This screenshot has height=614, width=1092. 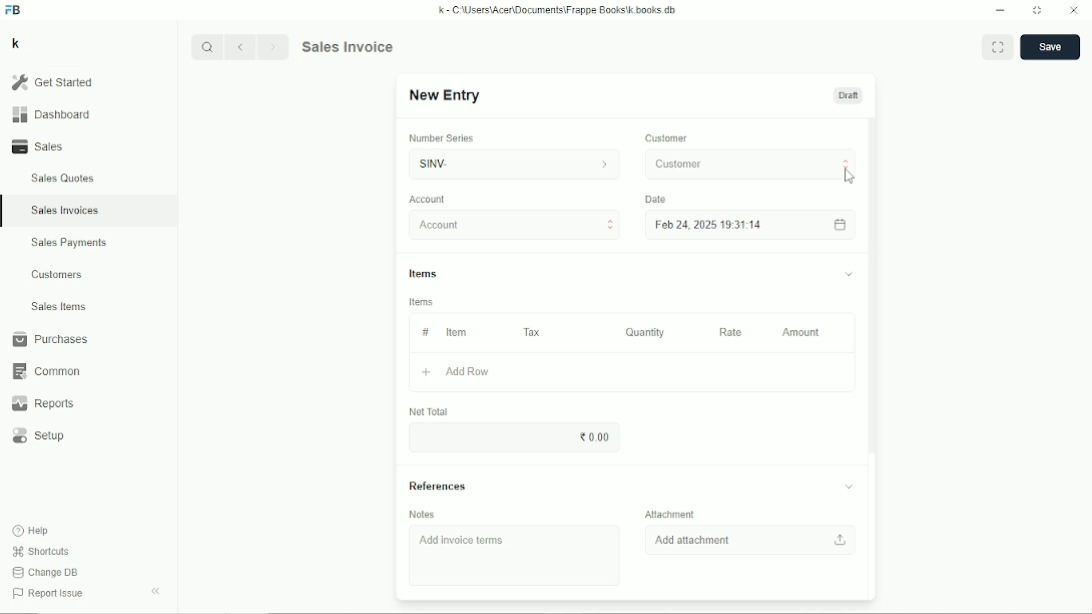 I want to click on Toggle between form and full width, so click(x=998, y=46).